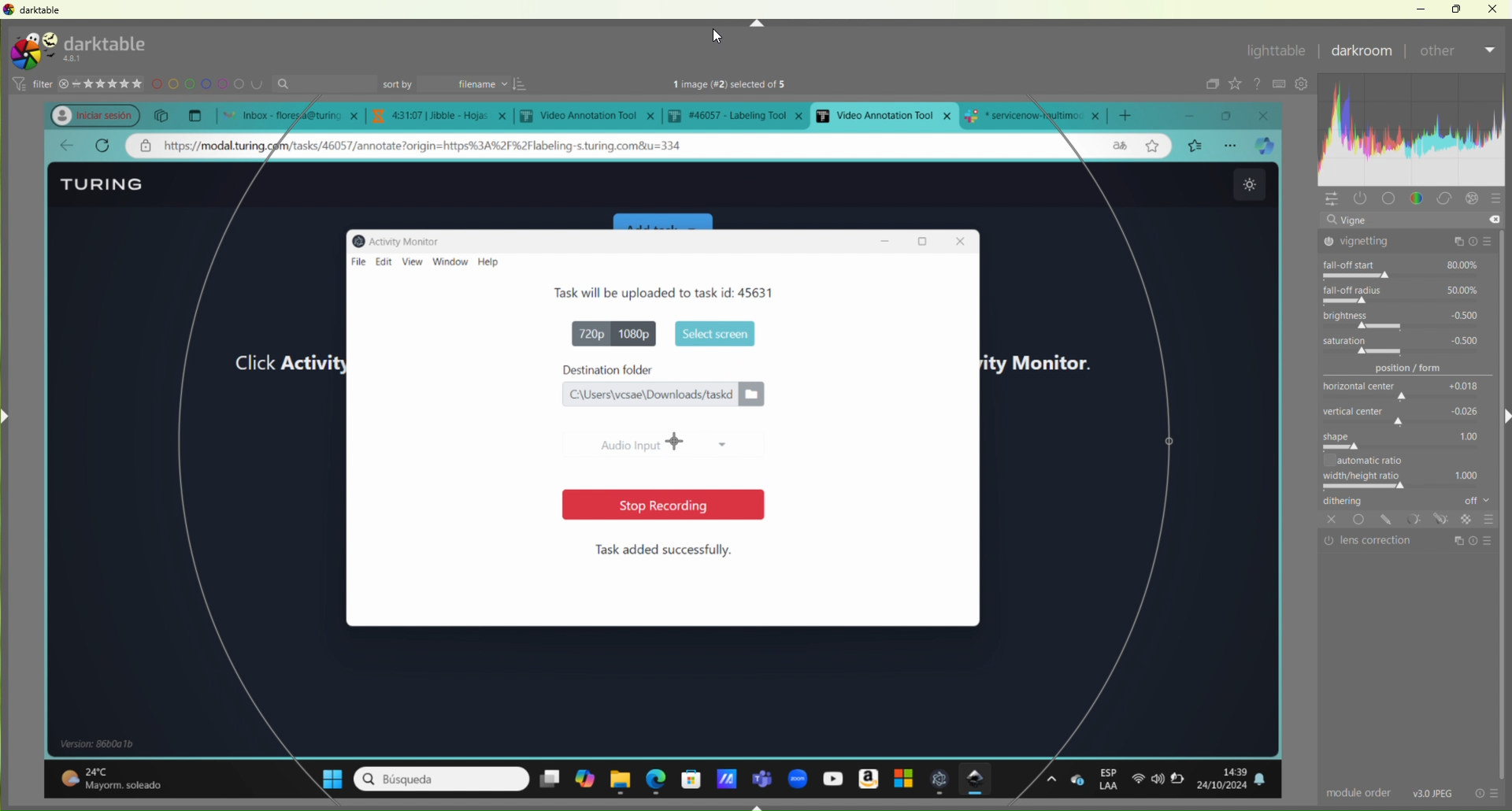  What do you see at coordinates (1405, 294) in the screenshot?
I see `fall-off radius` at bounding box center [1405, 294].